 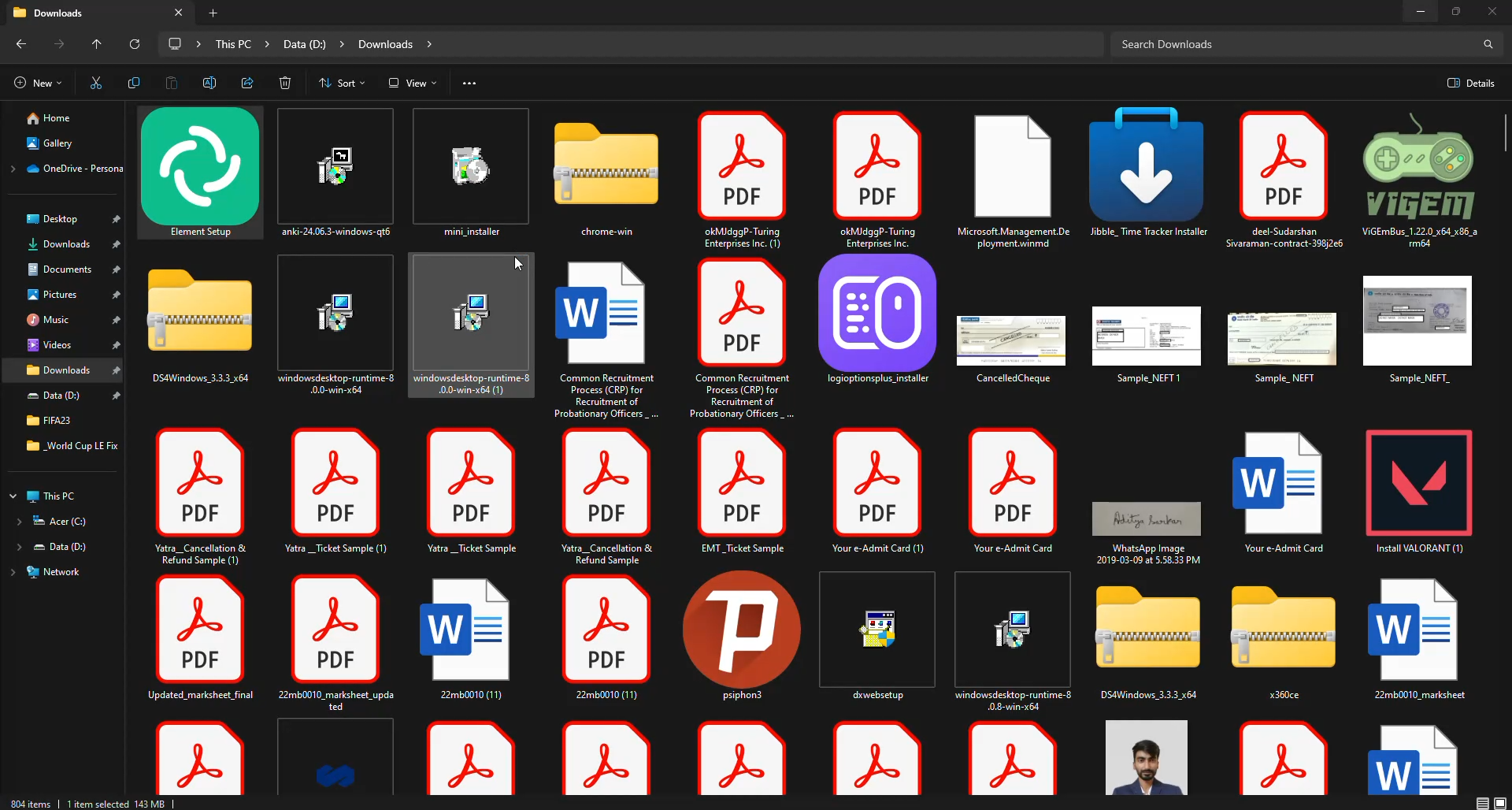 What do you see at coordinates (475, 171) in the screenshot?
I see `file` at bounding box center [475, 171].